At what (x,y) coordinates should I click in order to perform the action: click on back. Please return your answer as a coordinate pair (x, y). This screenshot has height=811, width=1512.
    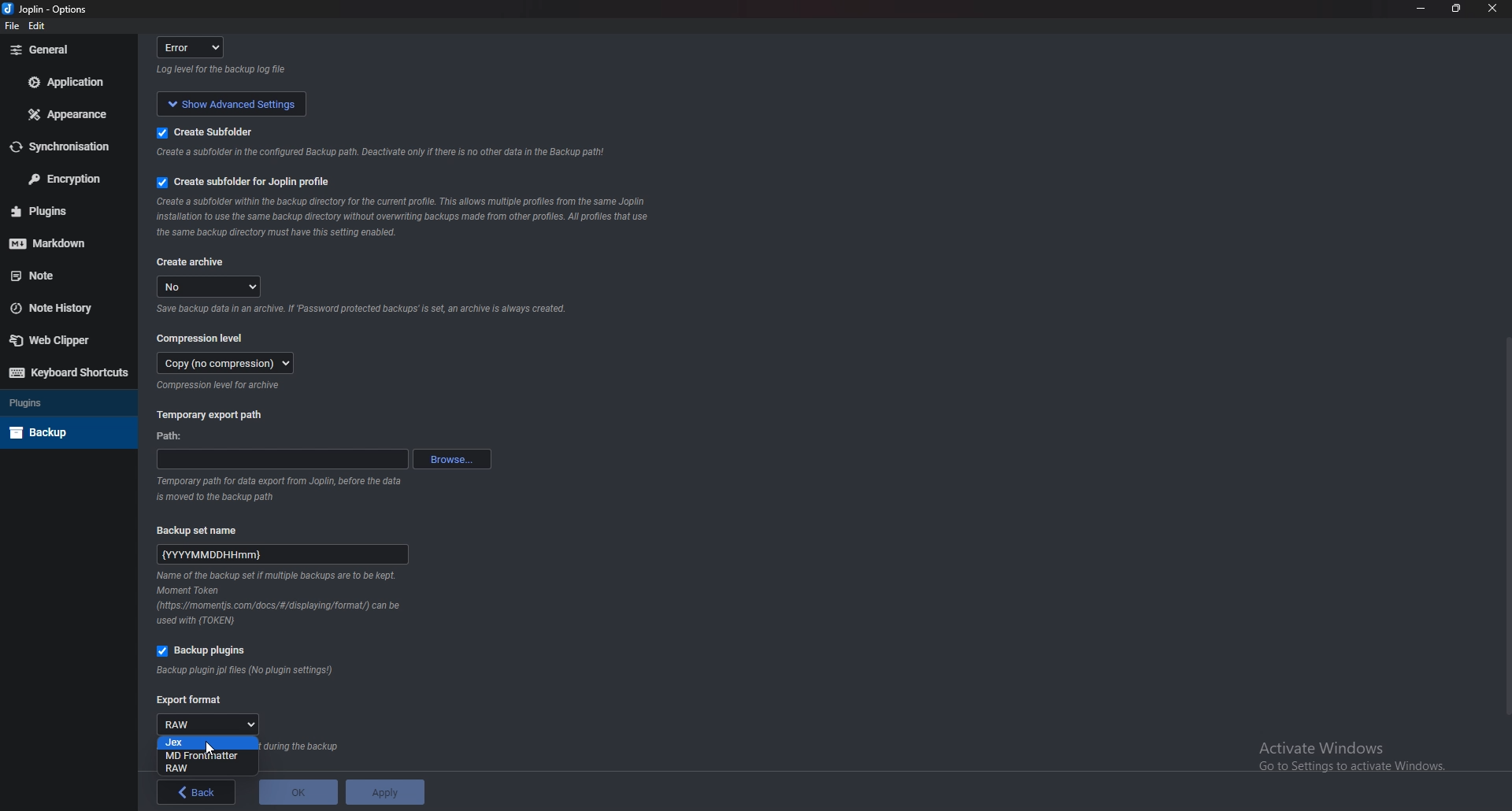
    Looking at the image, I should click on (197, 792).